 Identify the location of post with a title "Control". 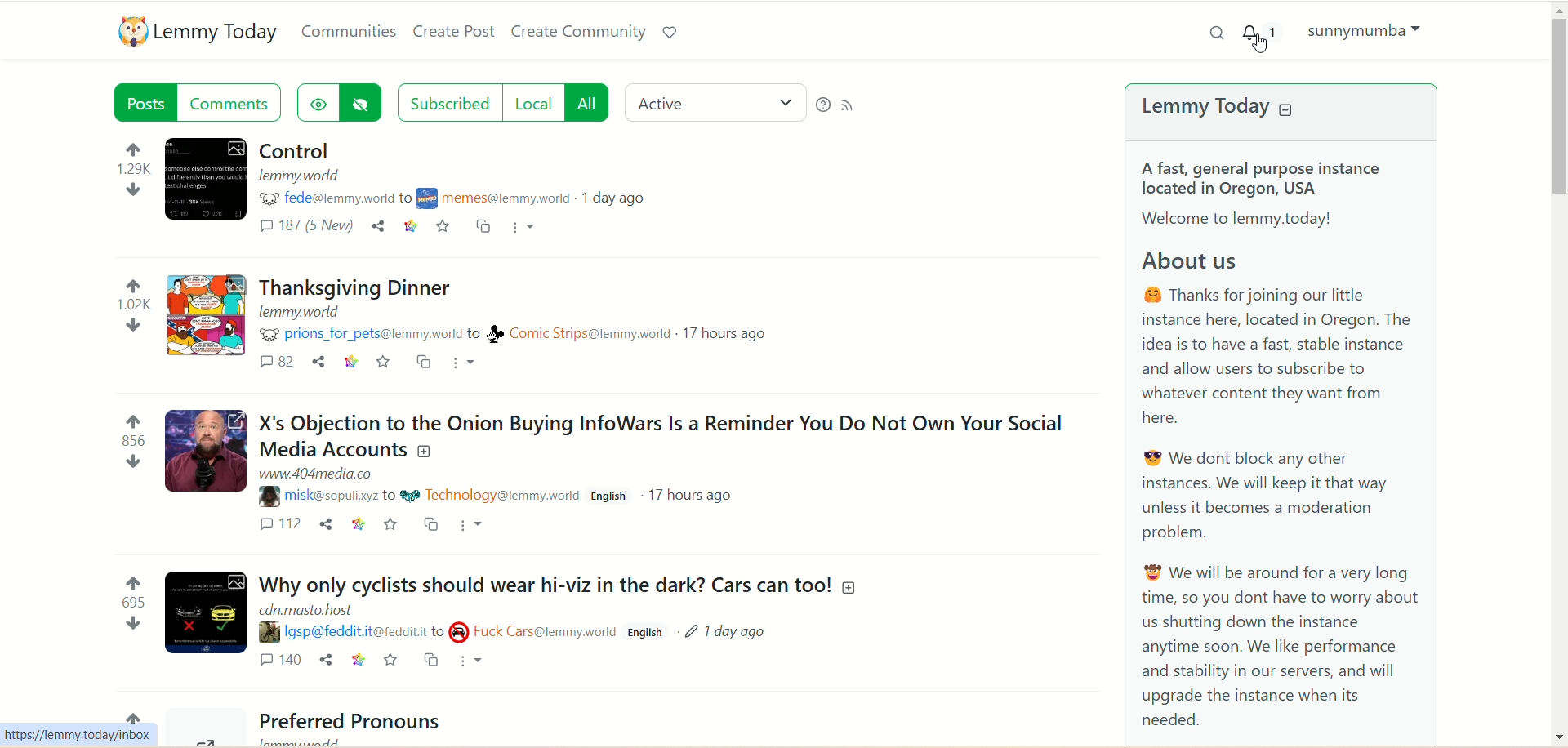
(364, 172).